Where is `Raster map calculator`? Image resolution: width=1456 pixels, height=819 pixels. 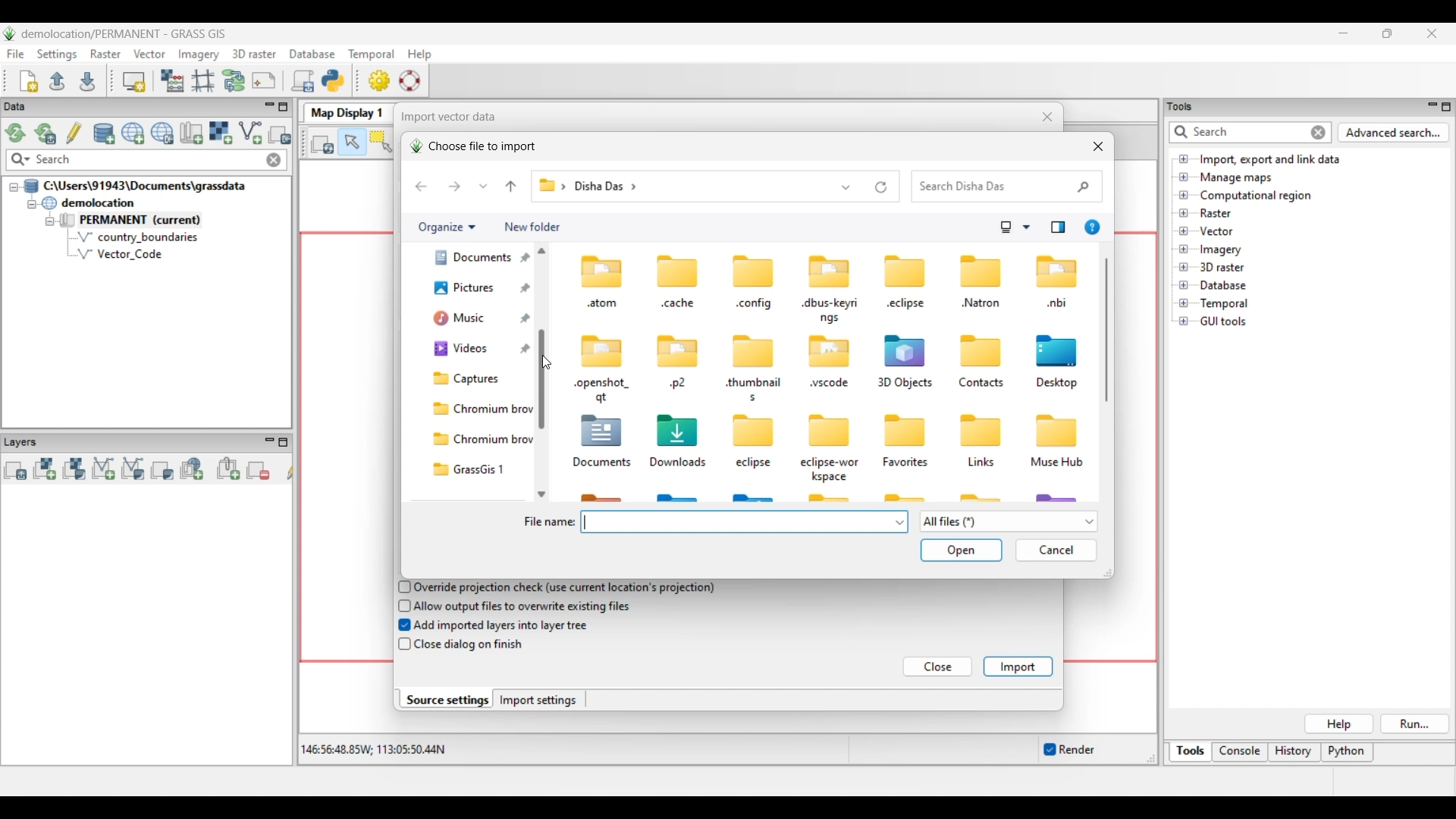
Raster map calculator is located at coordinates (172, 80).